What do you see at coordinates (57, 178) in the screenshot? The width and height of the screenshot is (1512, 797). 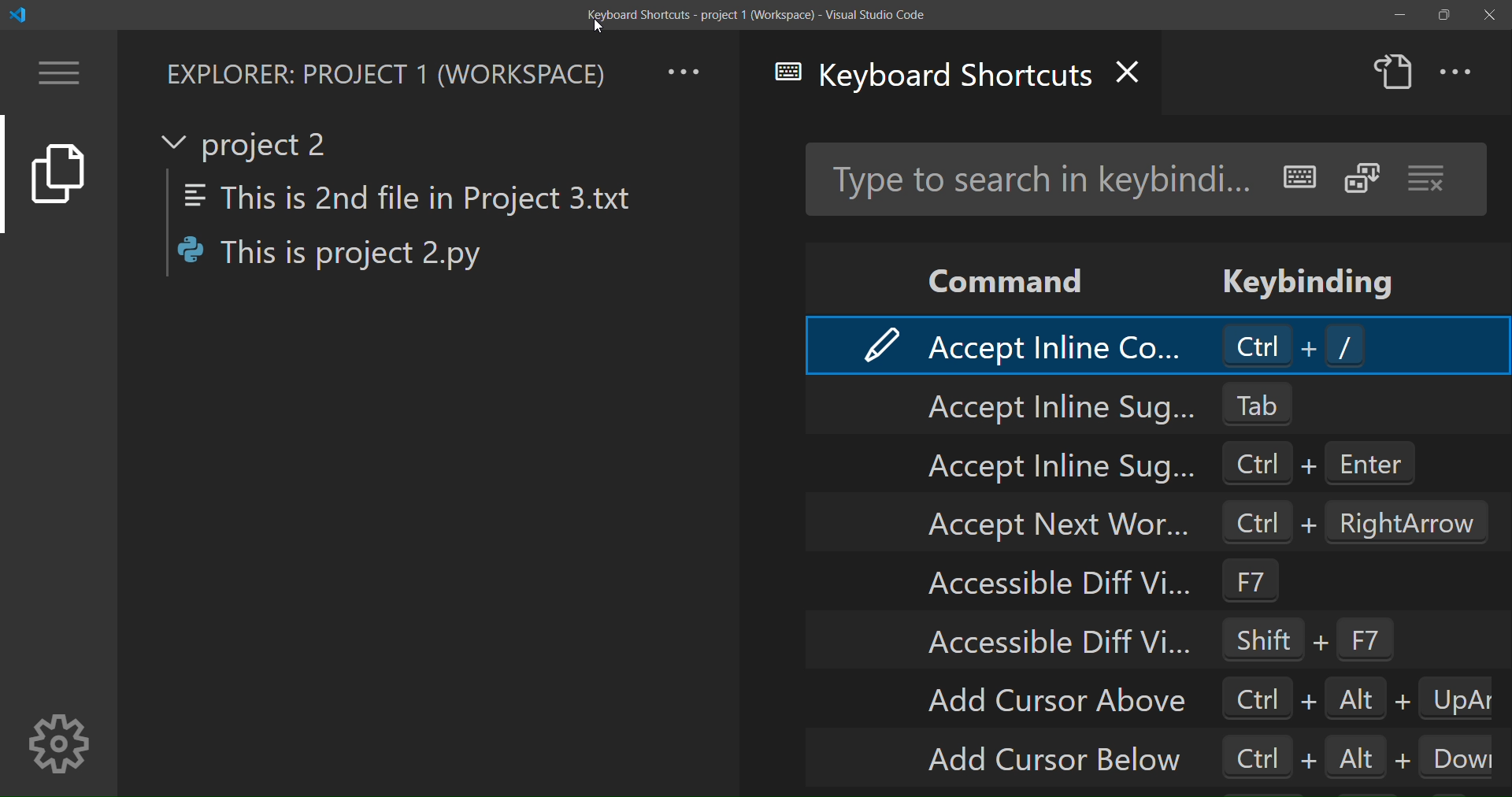 I see `explorer` at bounding box center [57, 178].